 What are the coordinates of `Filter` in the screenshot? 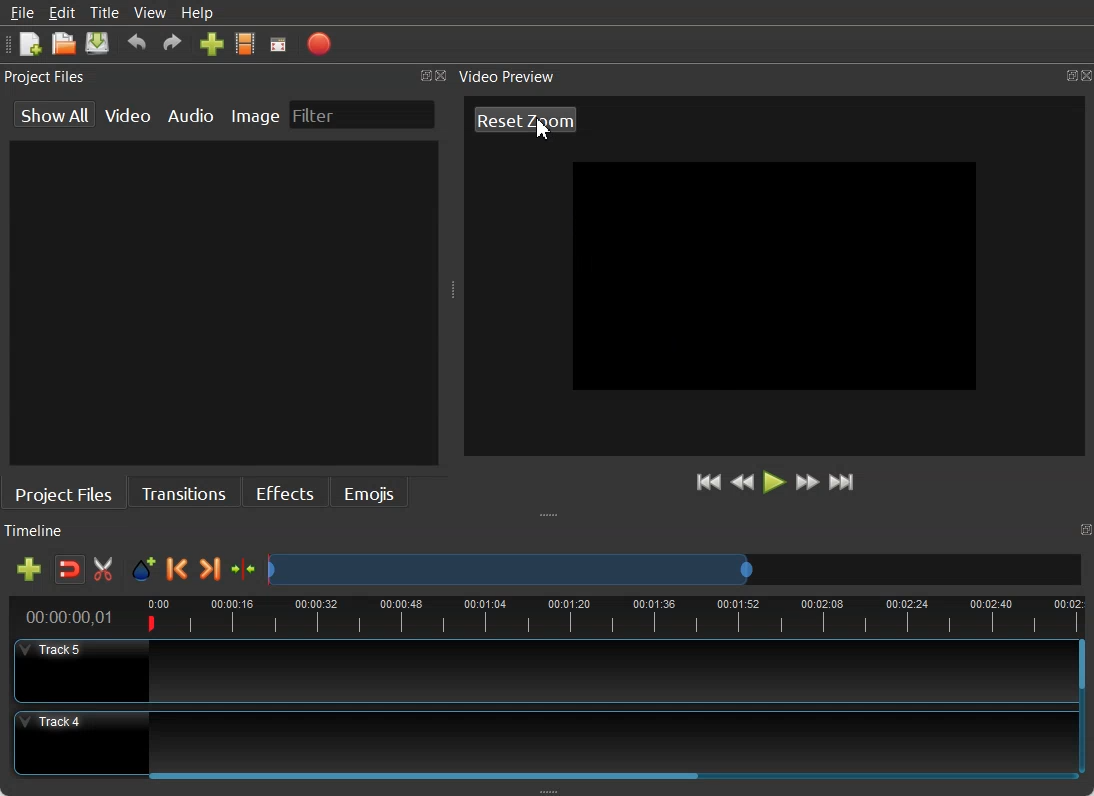 It's located at (363, 115).